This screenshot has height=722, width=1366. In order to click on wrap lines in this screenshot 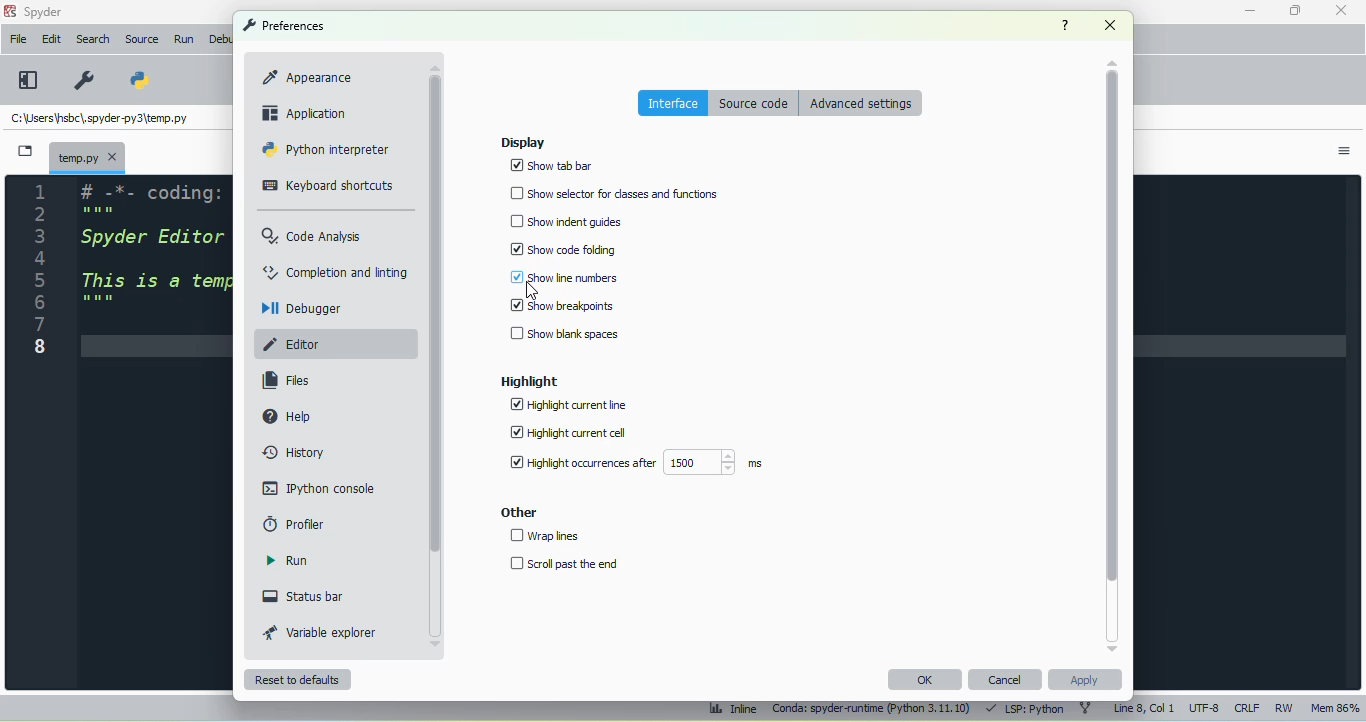, I will do `click(546, 536)`.